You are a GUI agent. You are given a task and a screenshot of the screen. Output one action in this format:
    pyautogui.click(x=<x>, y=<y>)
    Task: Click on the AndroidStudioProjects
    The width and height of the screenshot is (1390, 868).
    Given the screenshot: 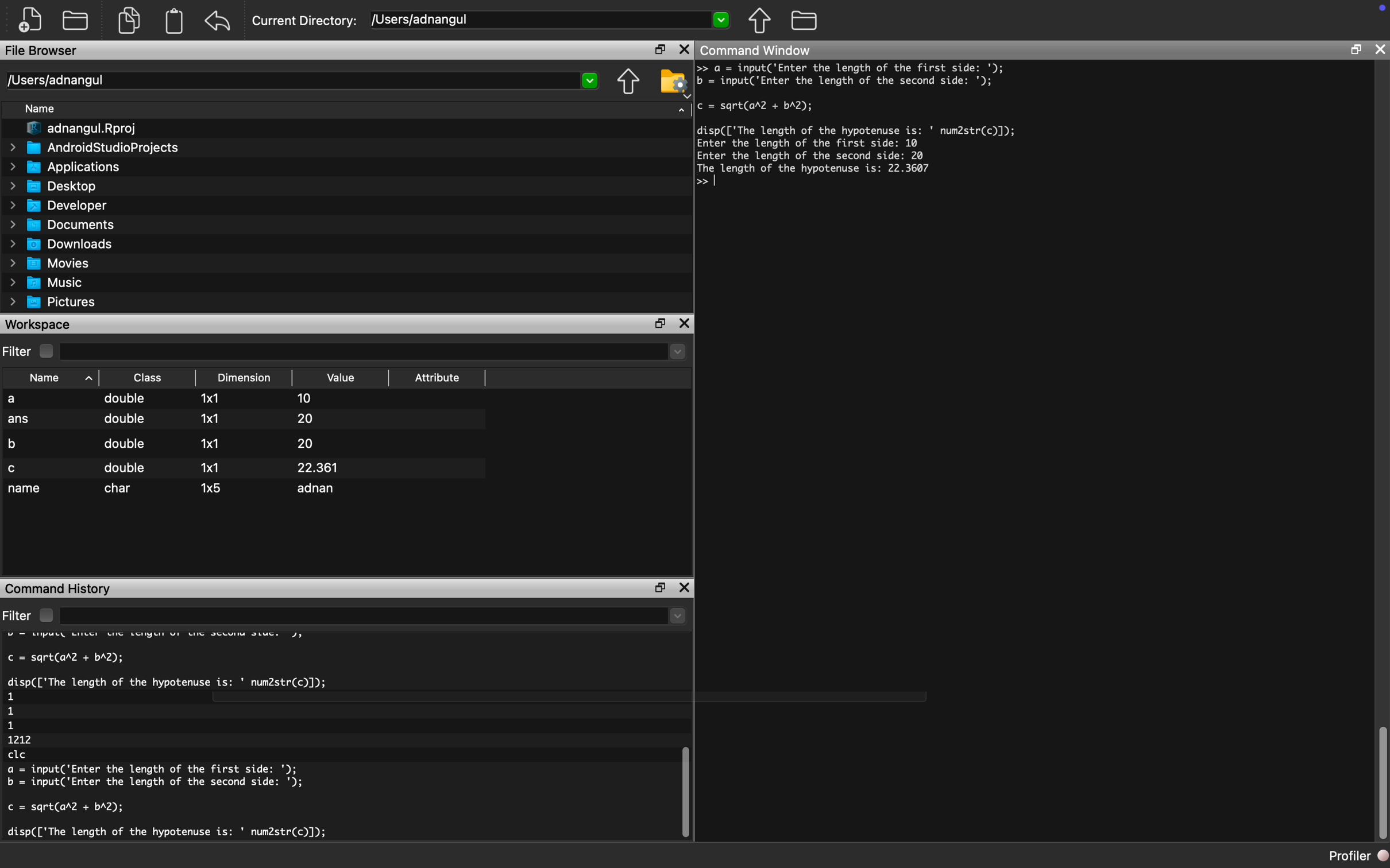 What is the action you would take?
    pyautogui.click(x=96, y=148)
    